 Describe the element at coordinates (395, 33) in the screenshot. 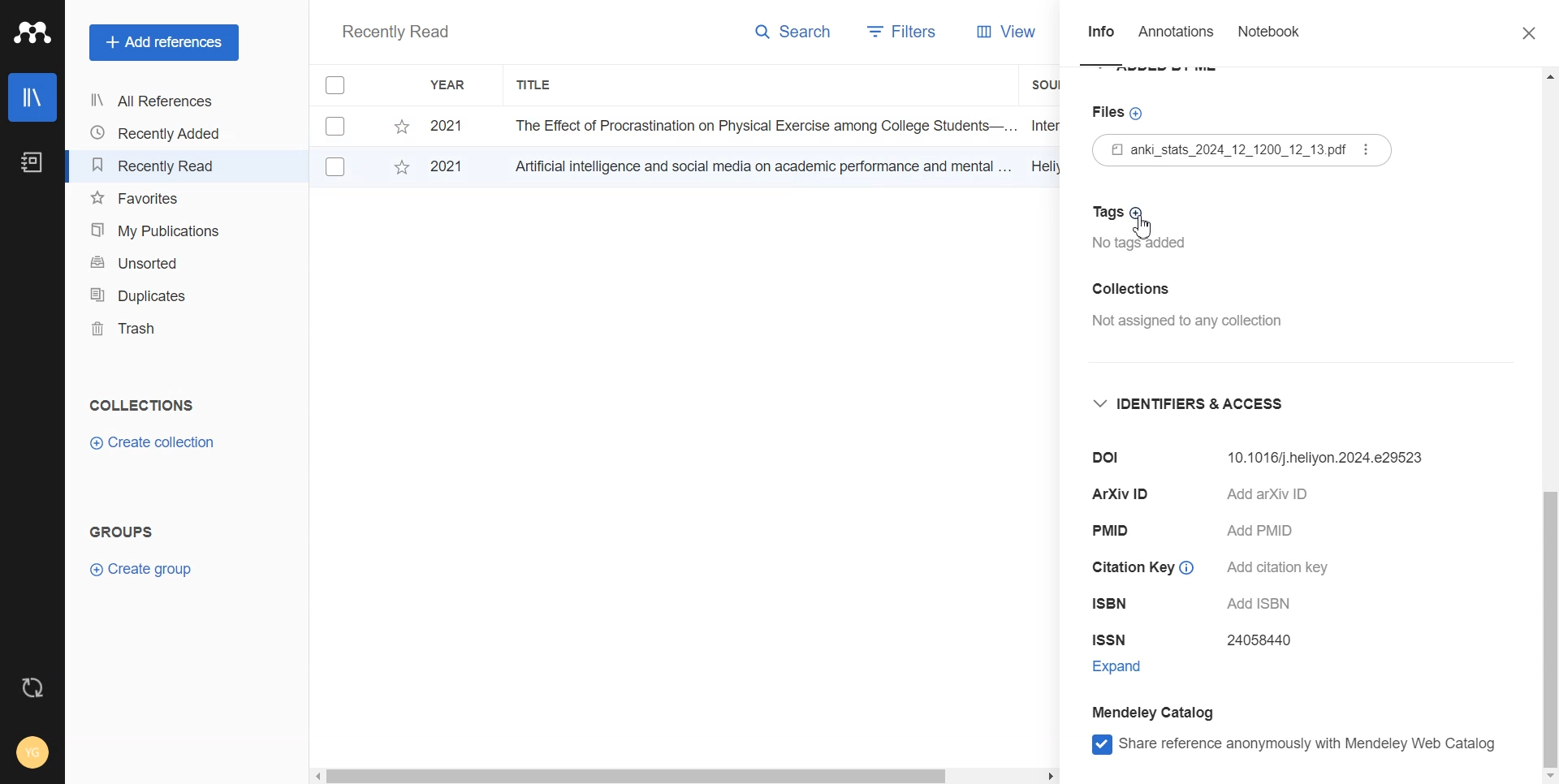

I see `Recently Read` at that location.